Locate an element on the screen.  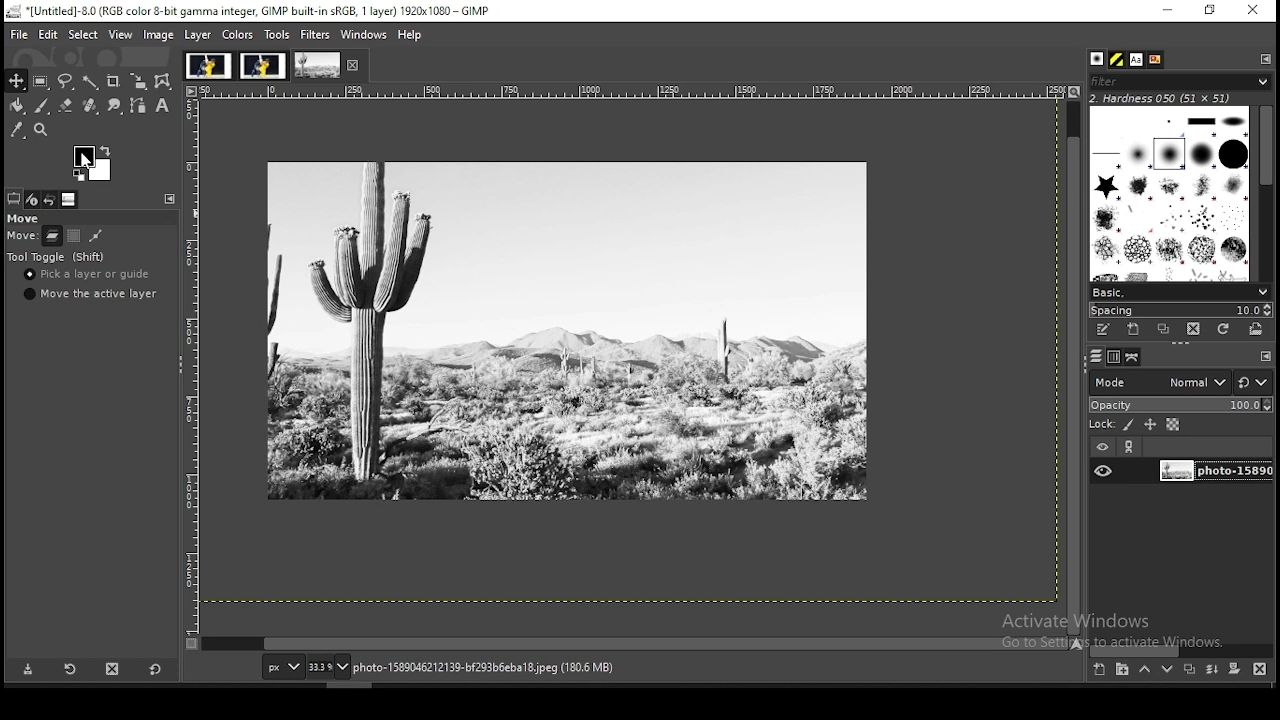
image is located at coordinates (568, 330).